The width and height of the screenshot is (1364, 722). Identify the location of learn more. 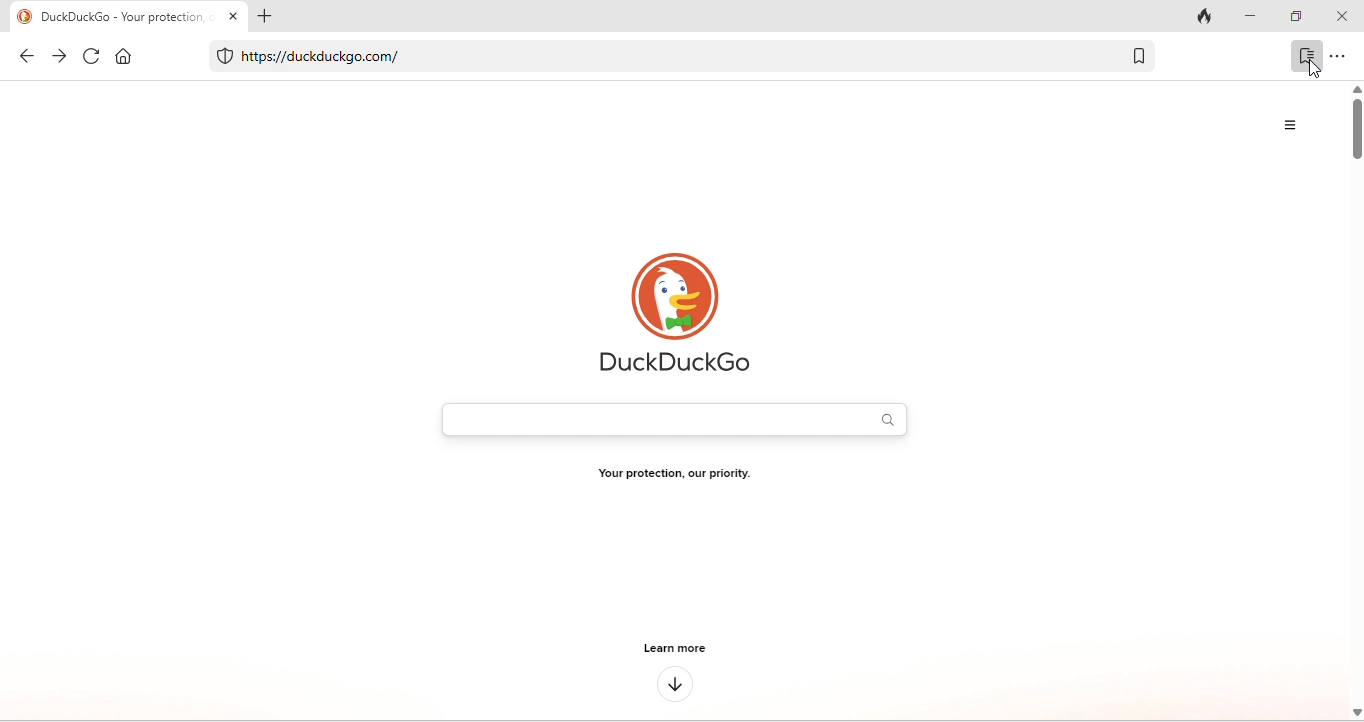
(672, 648).